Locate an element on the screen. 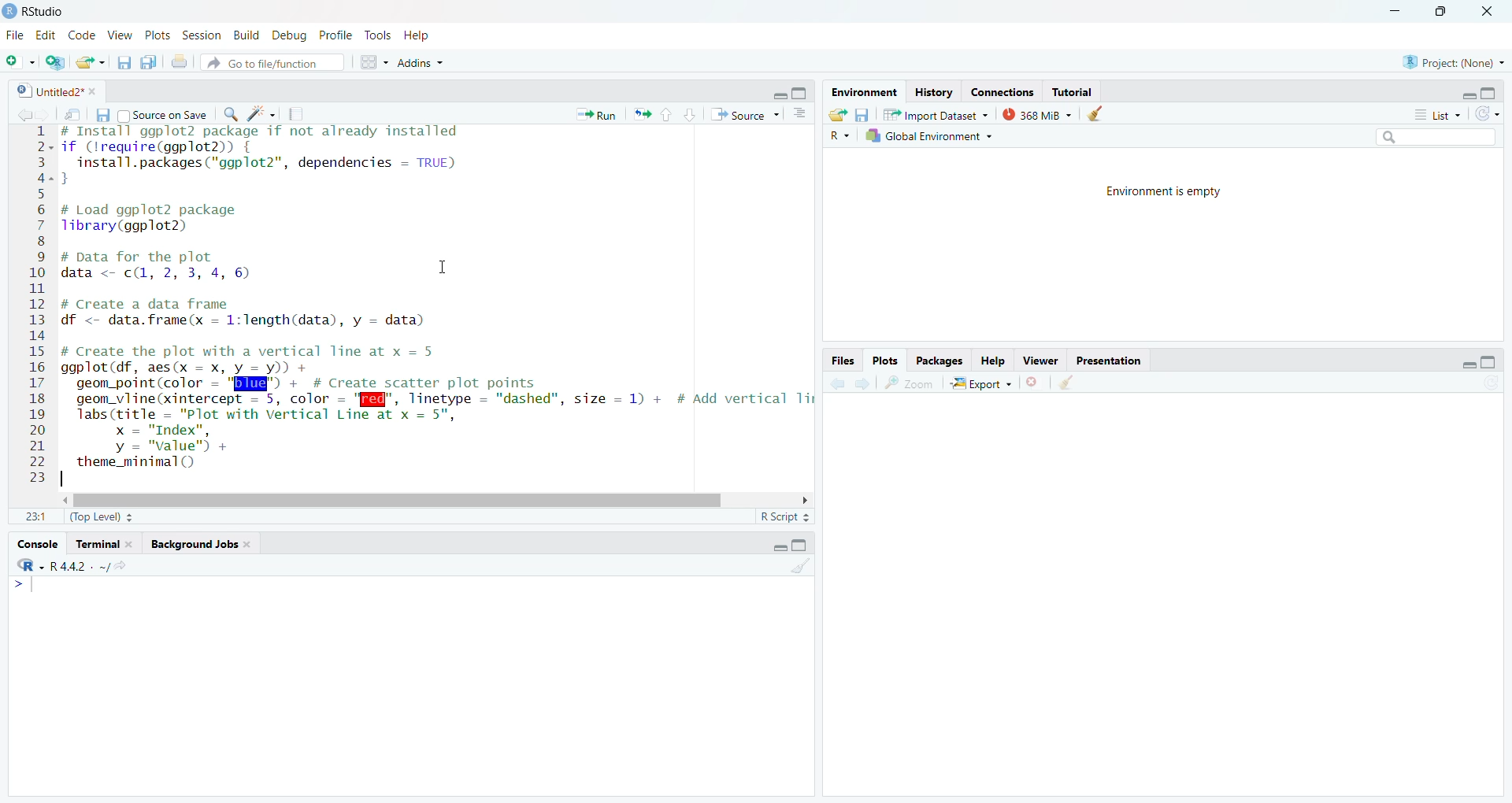 Image resolution: width=1512 pixels, height=803 pixels. Plots is located at coordinates (885, 361).